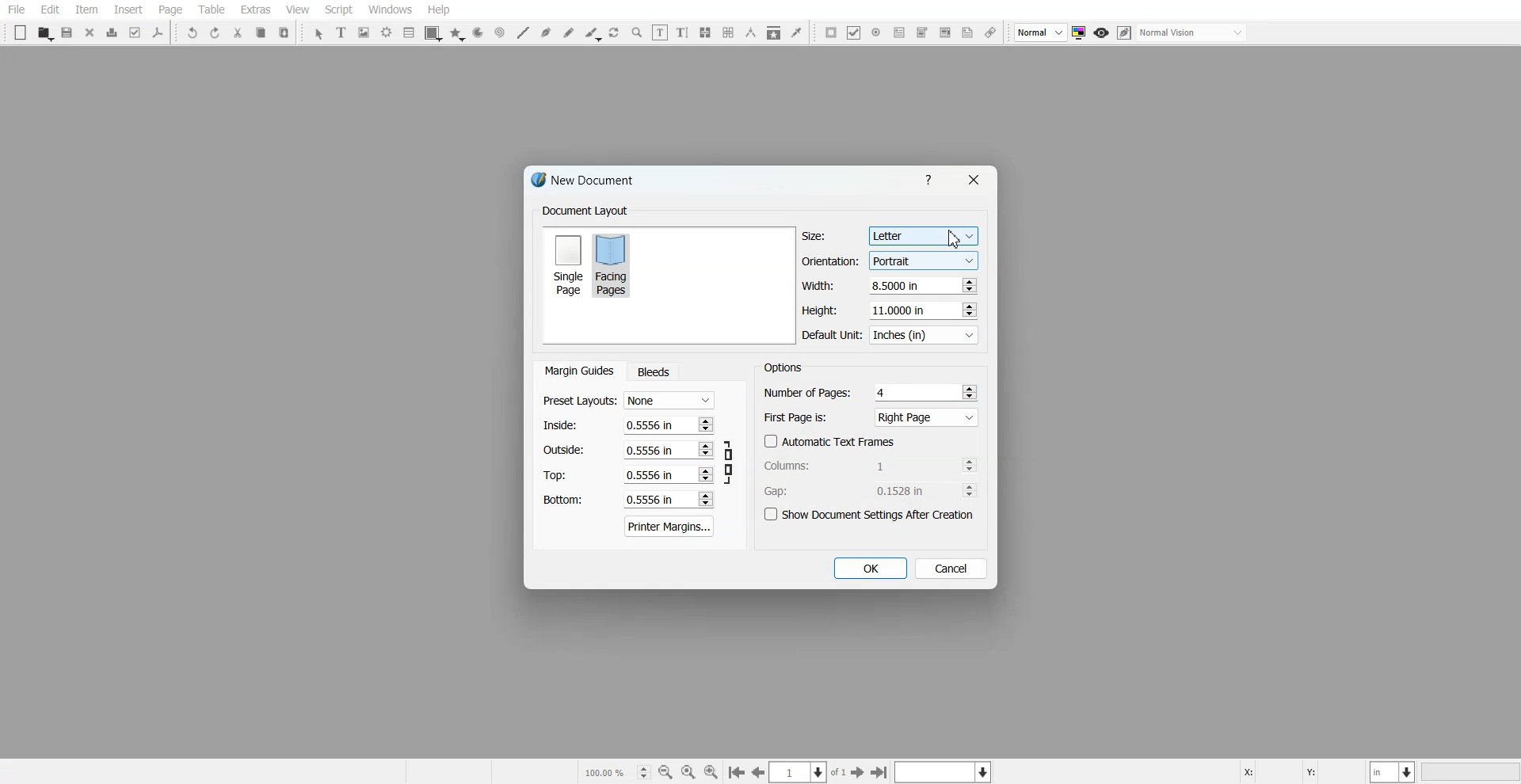 The width and height of the screenshot is (1521, 784). What do you see at coordinates (967, 33) in the screenshot?
I see `Text Annotation` at bounding box center [967, 33].